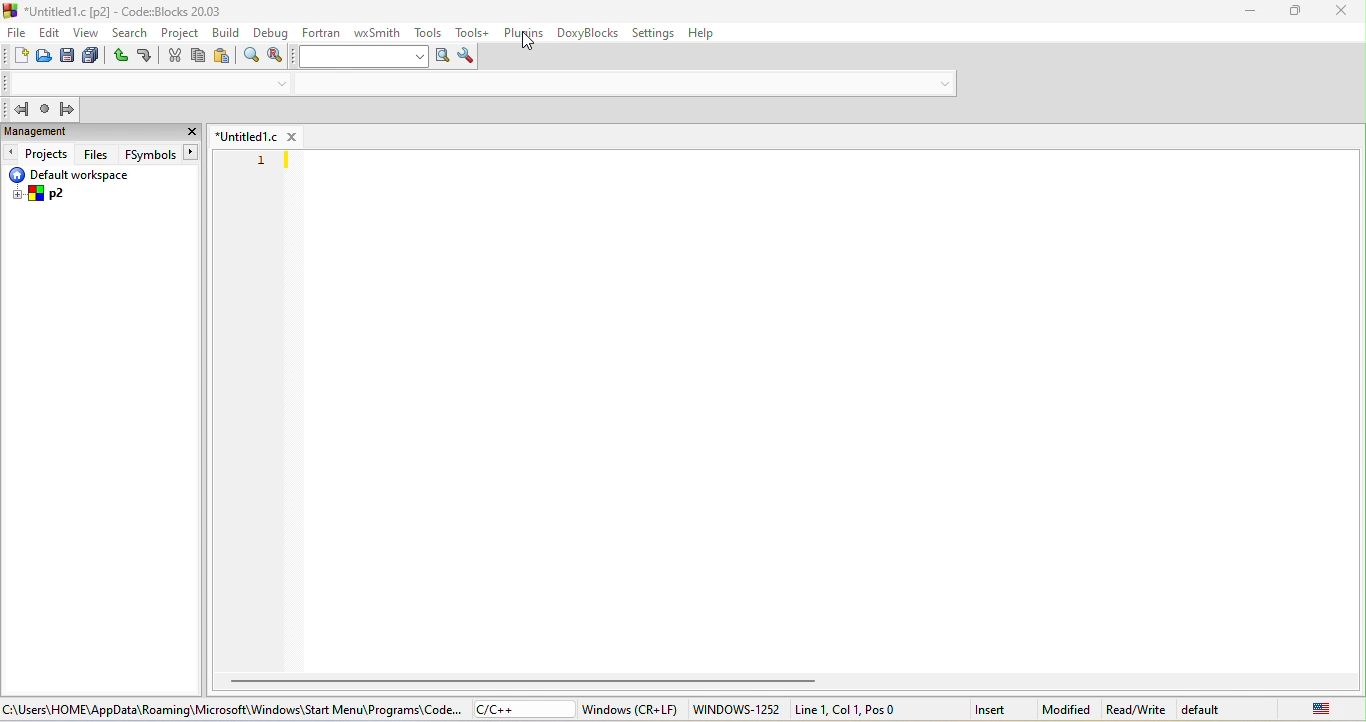 This screenshot has width=1366, height=722. Describe the element at coordinates (1236, 710) in the screenshot. I see `default` at that location.